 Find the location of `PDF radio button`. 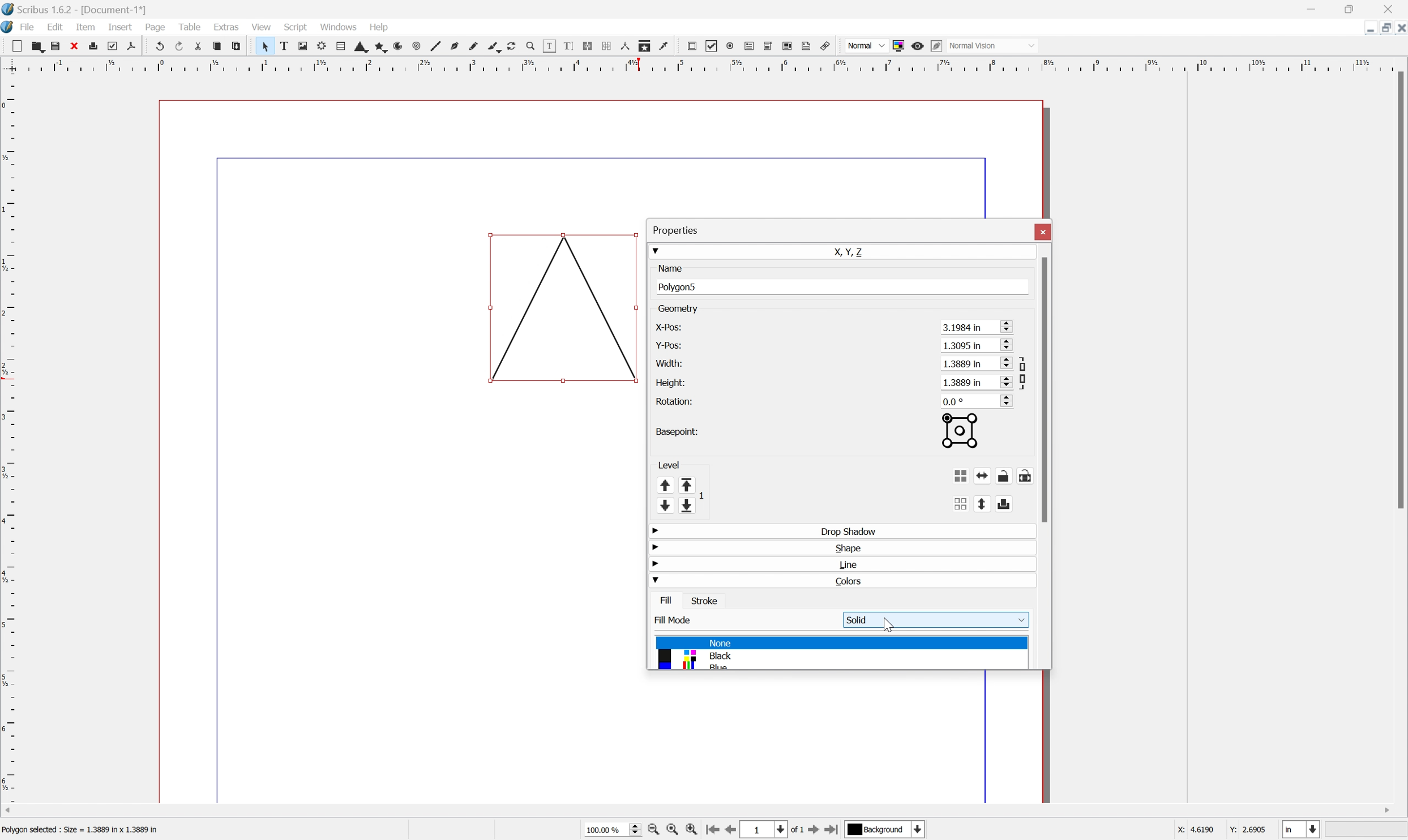

PDF radio button is located at coordinates (729, 46).